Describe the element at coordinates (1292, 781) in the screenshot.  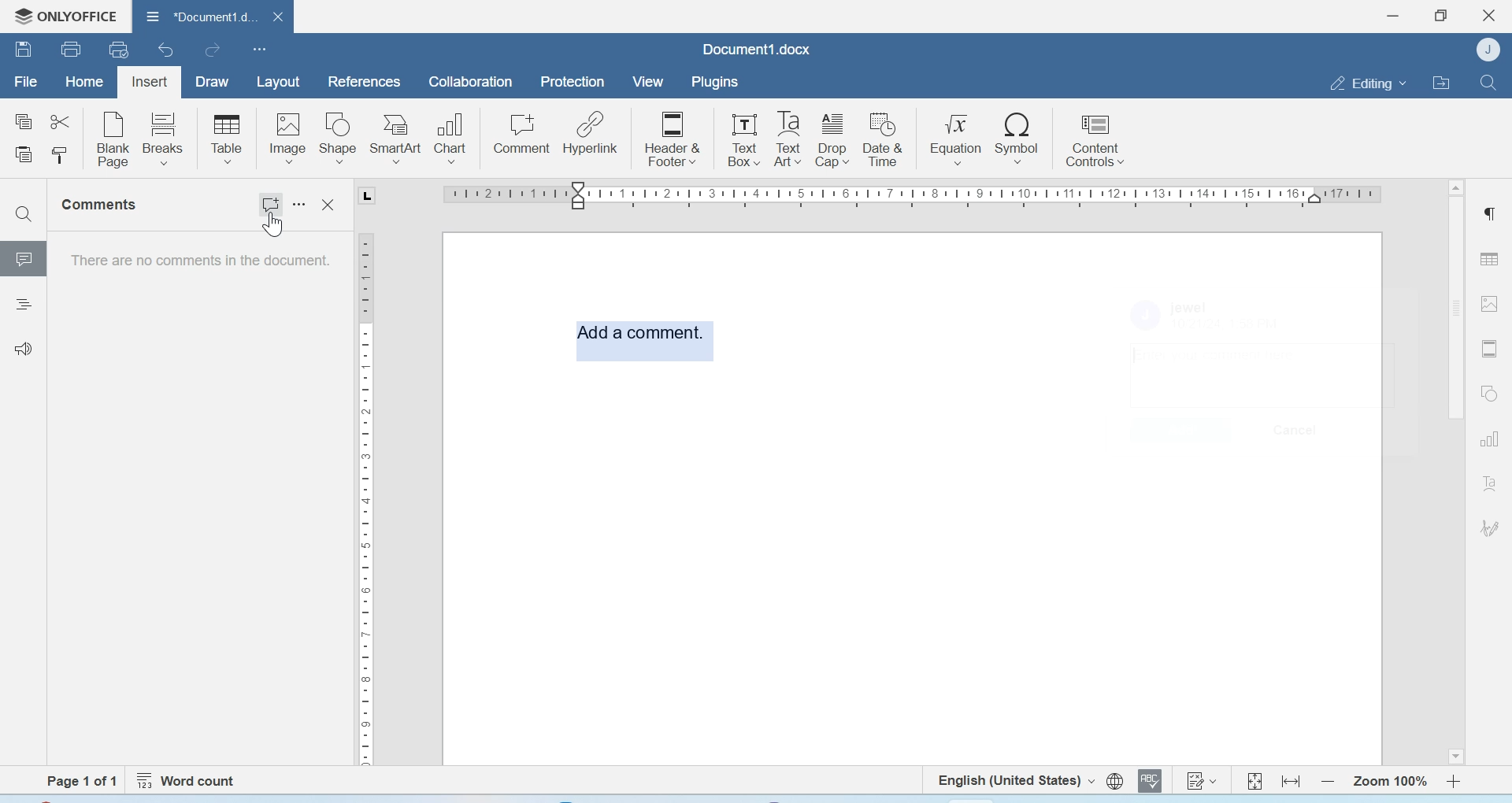
I see `Fit to width` at that location.